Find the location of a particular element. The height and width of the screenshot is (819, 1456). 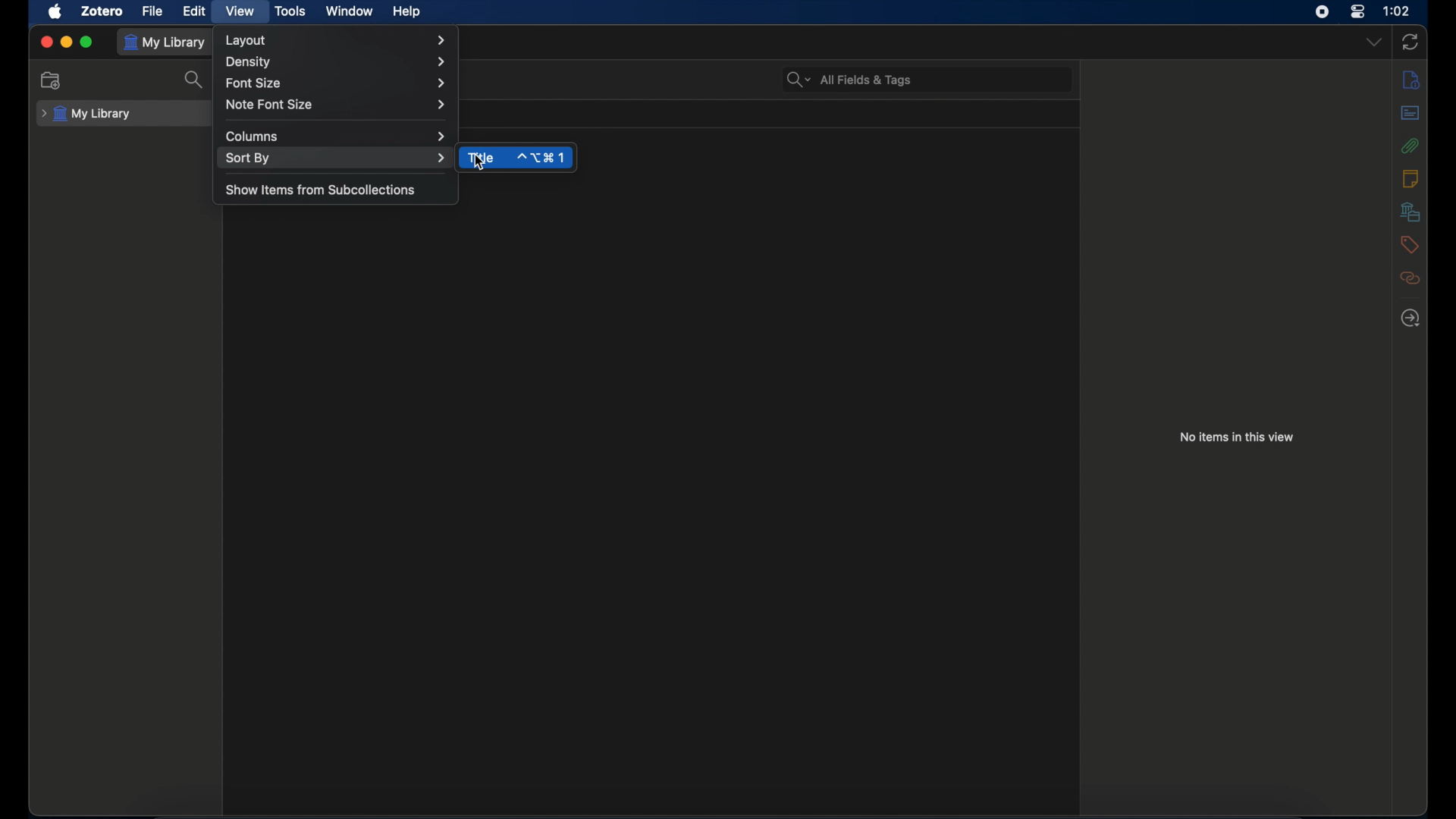

columns is located at coordinates (336, 136).